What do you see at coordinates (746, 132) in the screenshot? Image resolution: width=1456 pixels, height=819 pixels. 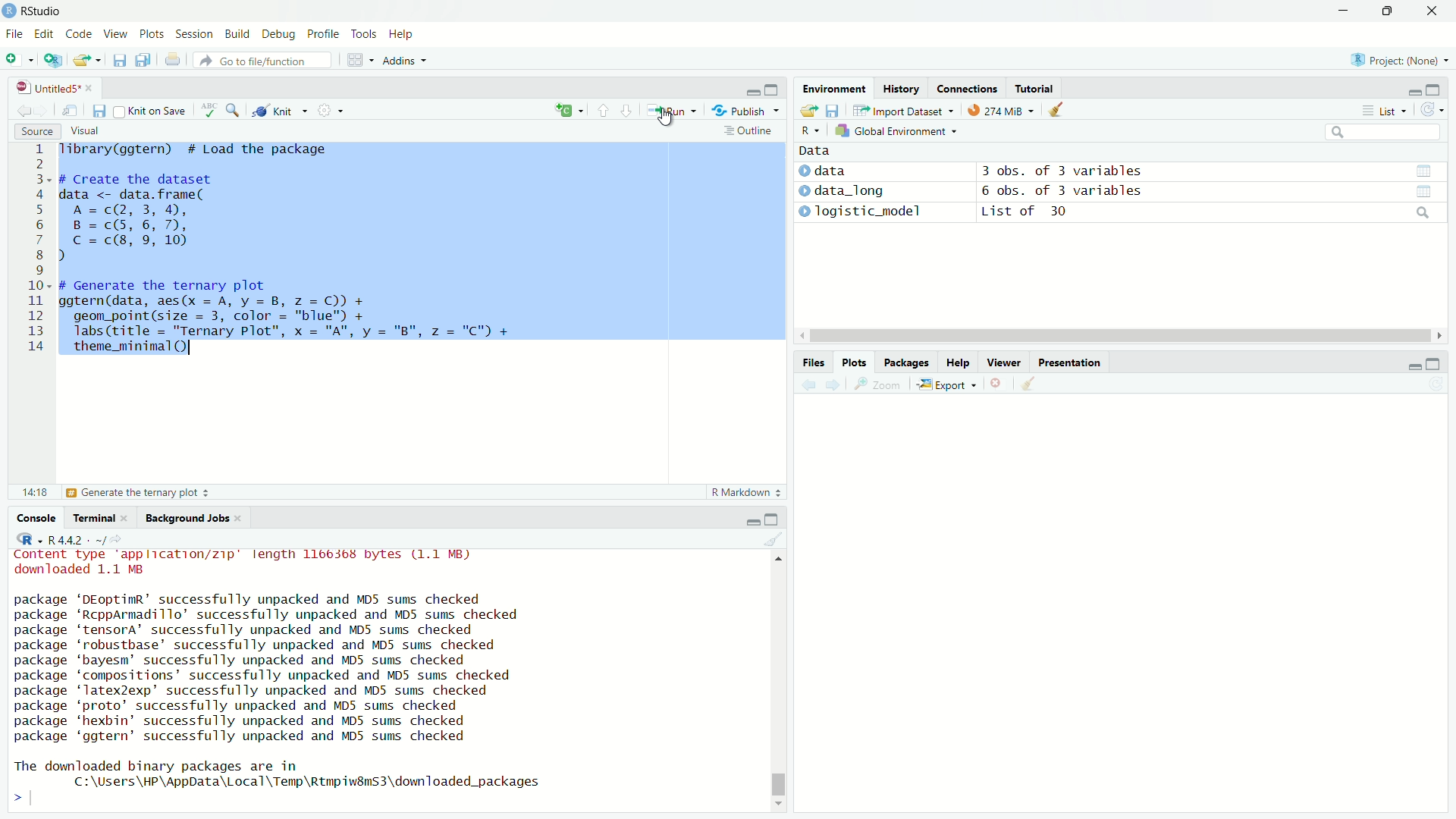 I see `: Outline` at bounding box center [746, 132].